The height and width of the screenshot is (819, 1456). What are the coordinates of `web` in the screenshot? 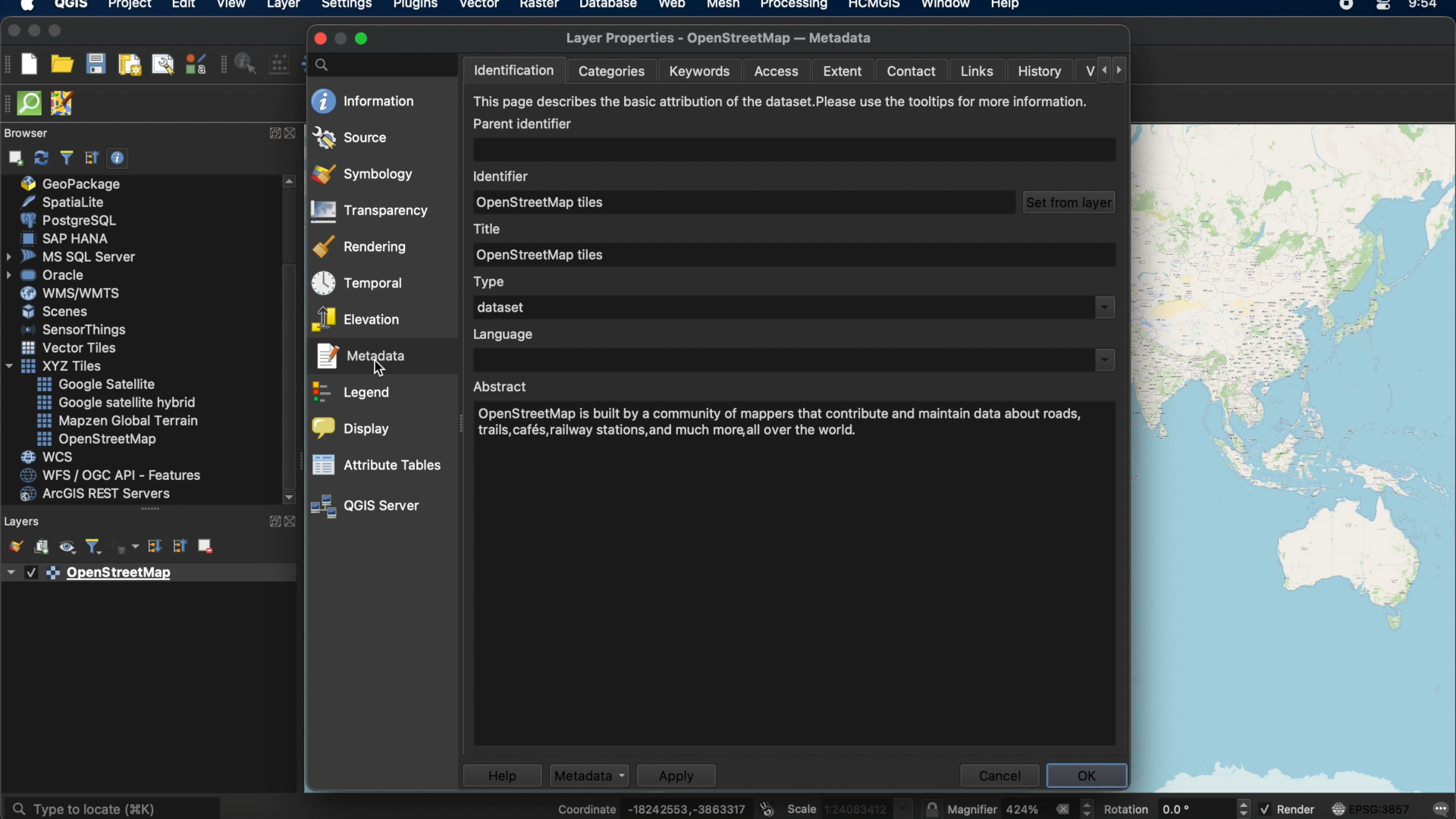 It's located at (672, 6).